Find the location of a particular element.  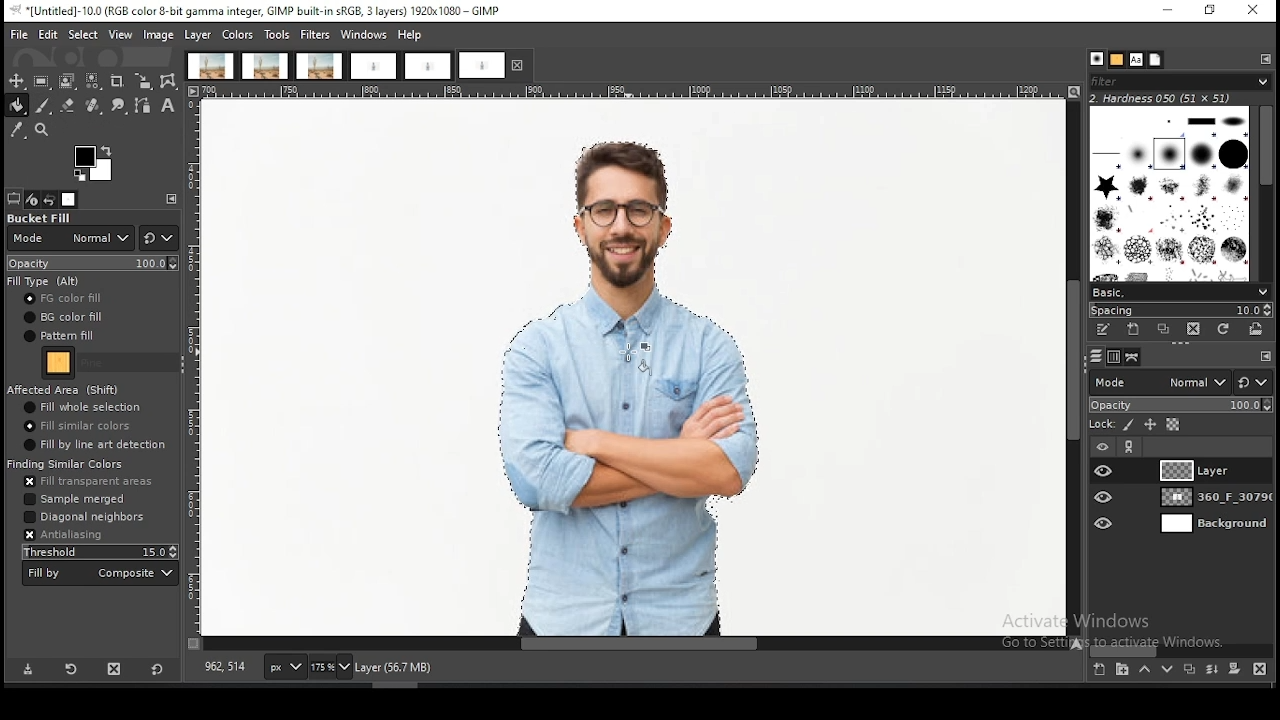

image is located at coordinates (158, 36).